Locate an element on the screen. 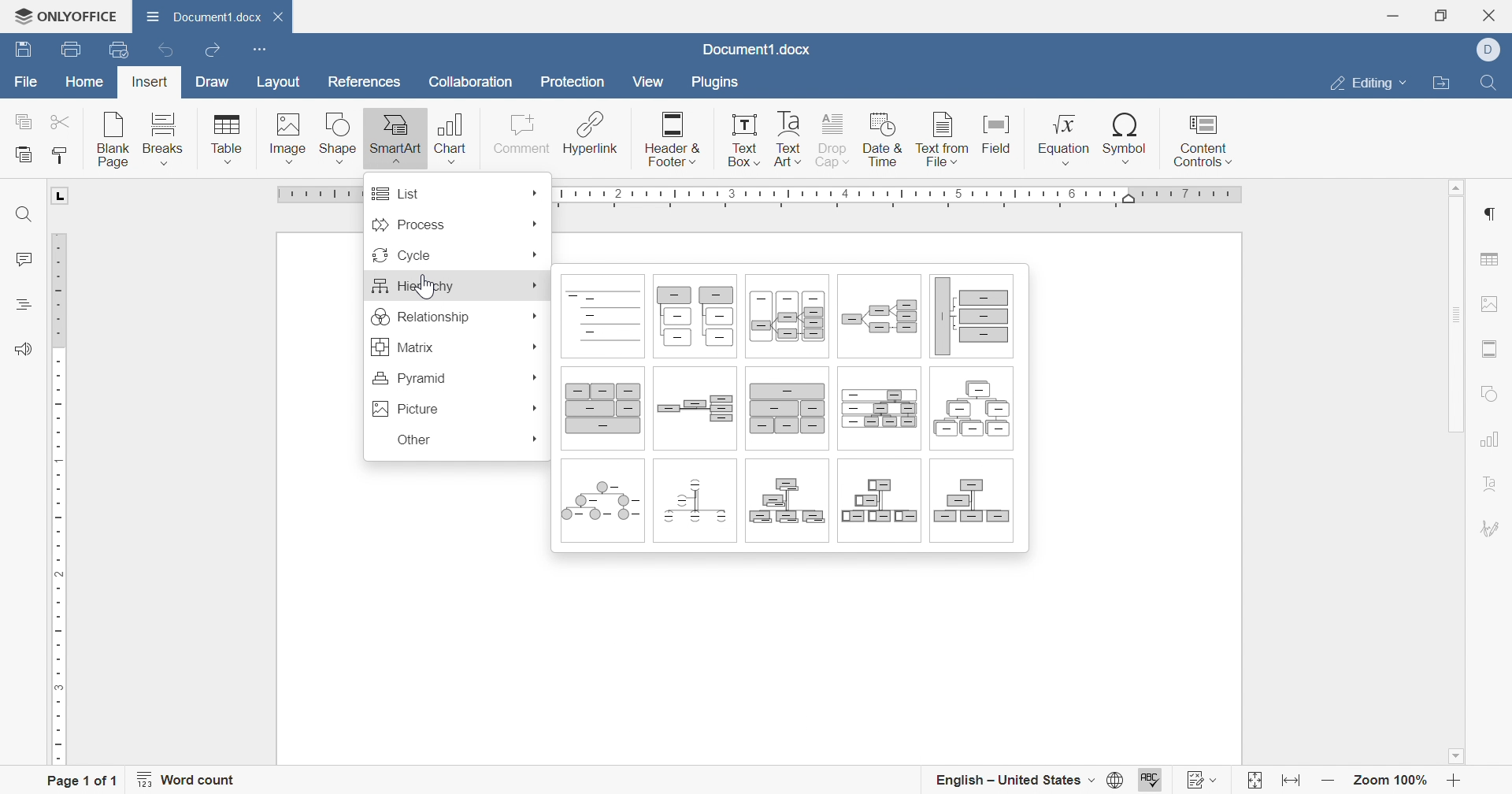  Close is located at coordinates (282, 15).